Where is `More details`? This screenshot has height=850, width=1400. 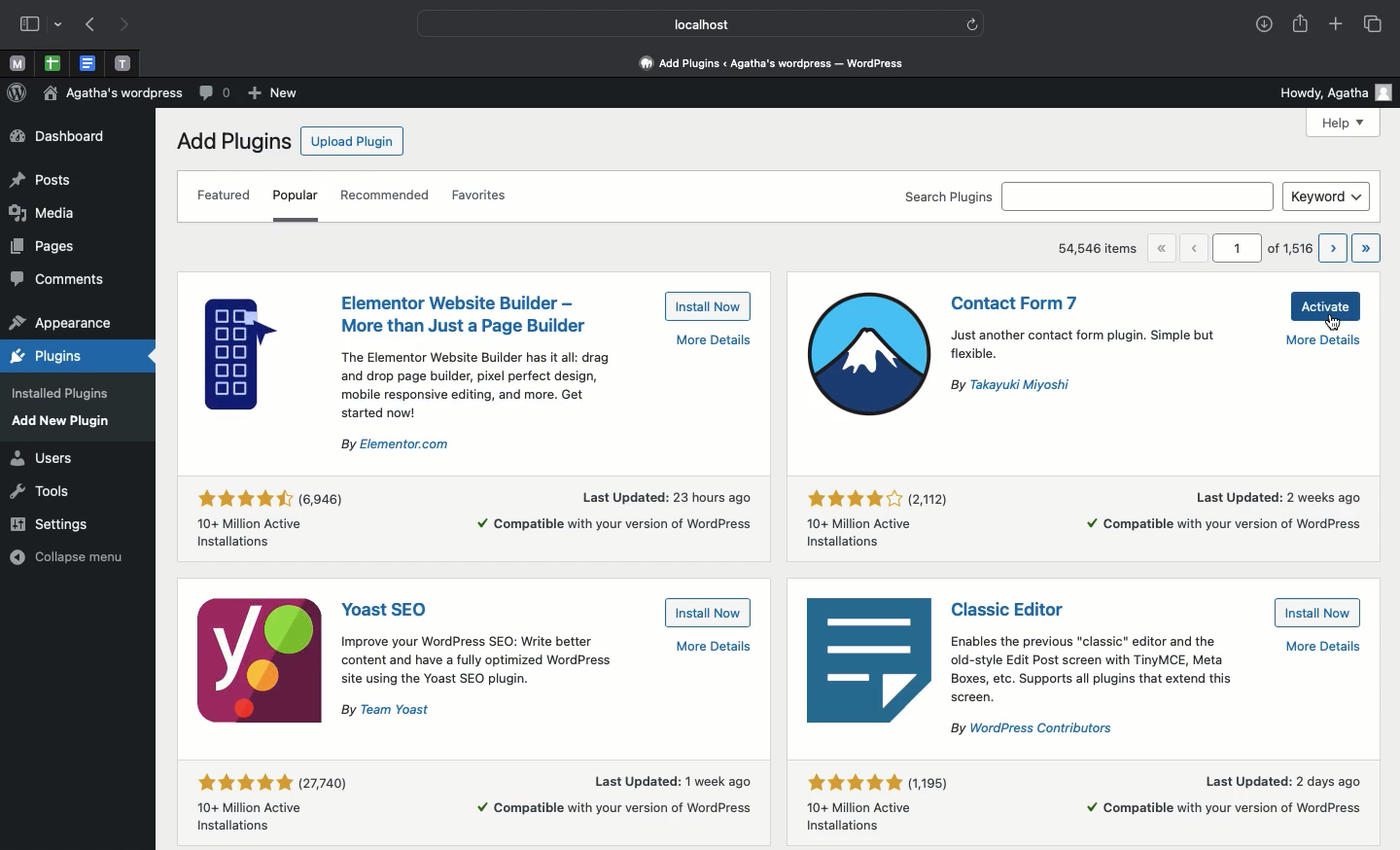 More details is located at coordinates (707, 341).